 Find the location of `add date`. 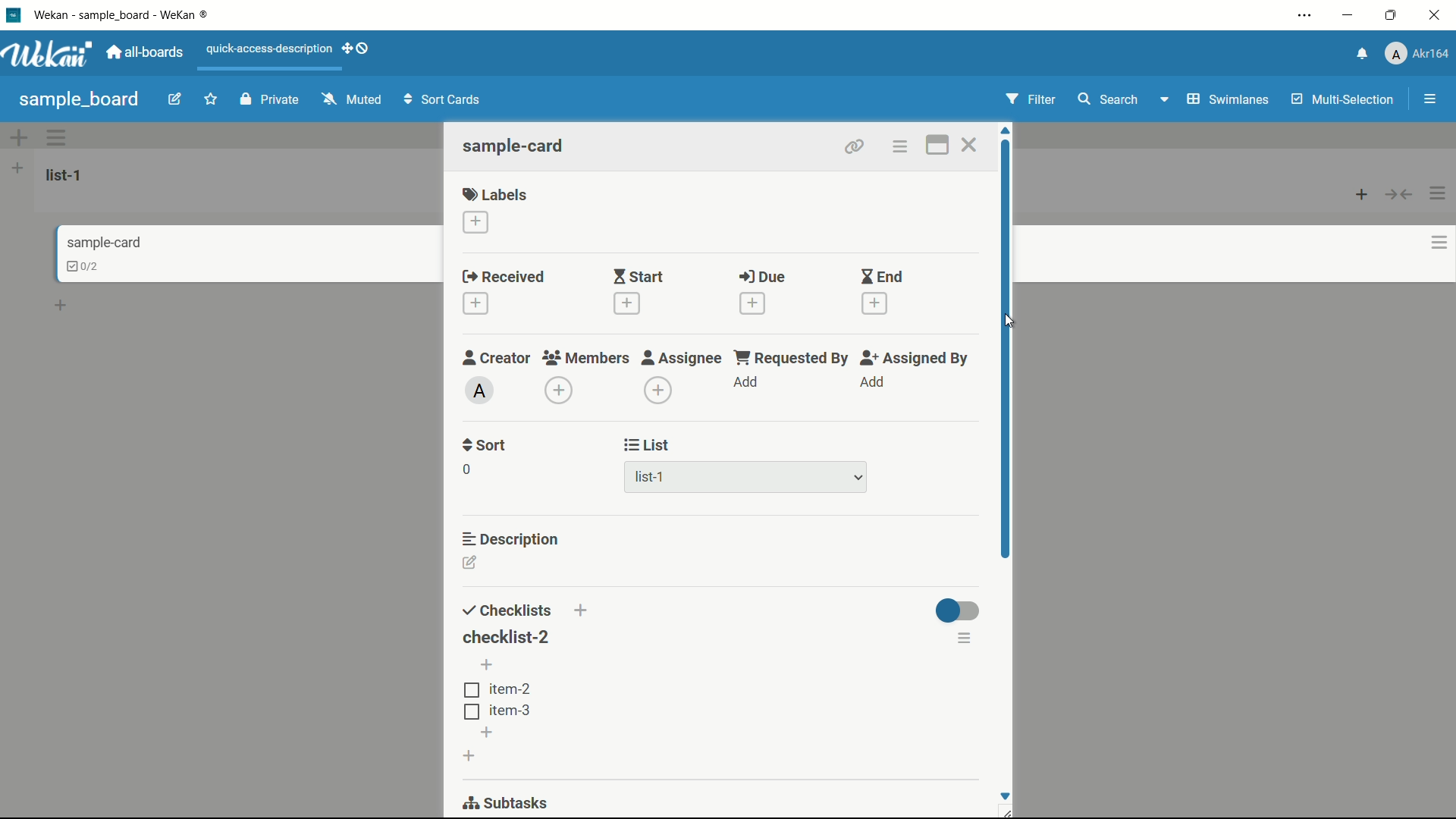

add date is located at coordinates (626, 305).